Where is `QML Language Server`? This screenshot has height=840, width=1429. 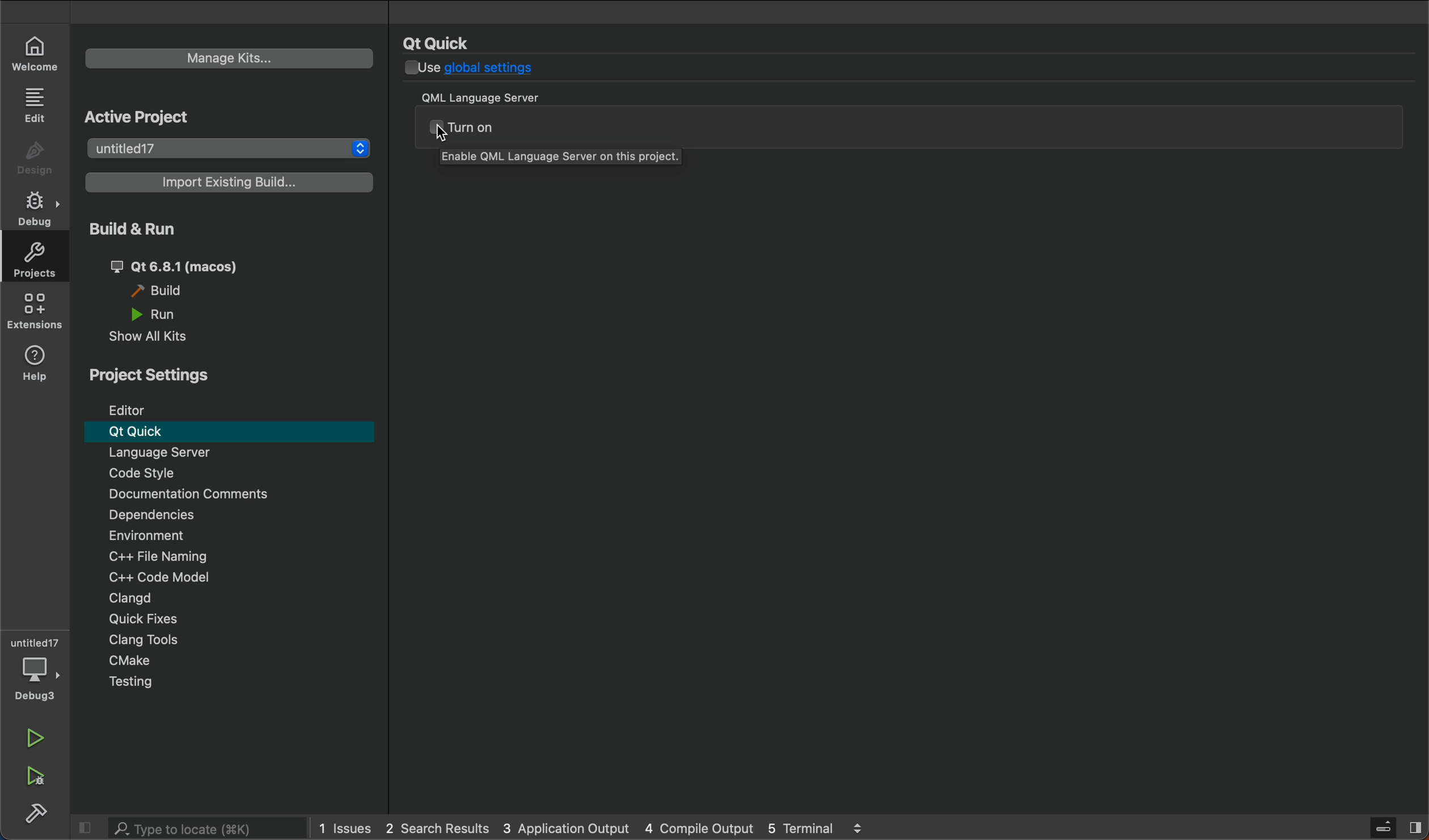
QML Language Server is located at coordinates (493, 96).